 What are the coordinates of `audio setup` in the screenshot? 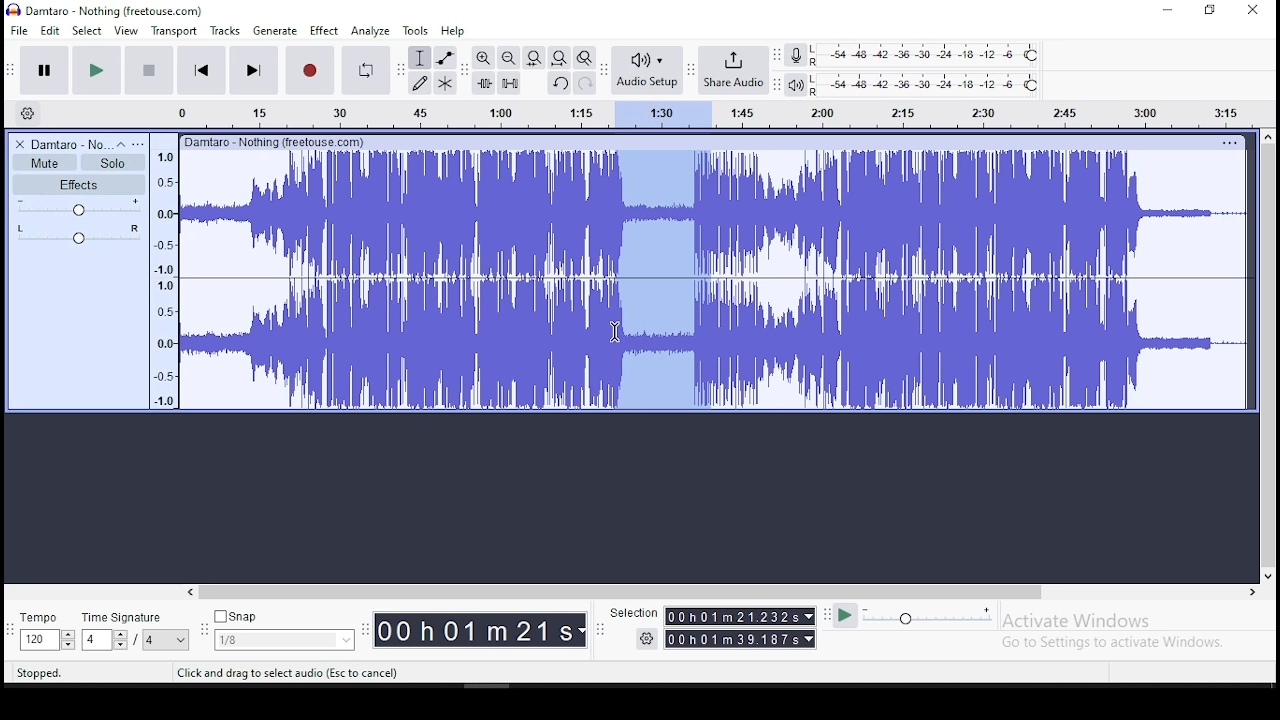 It's located at (646, 68).